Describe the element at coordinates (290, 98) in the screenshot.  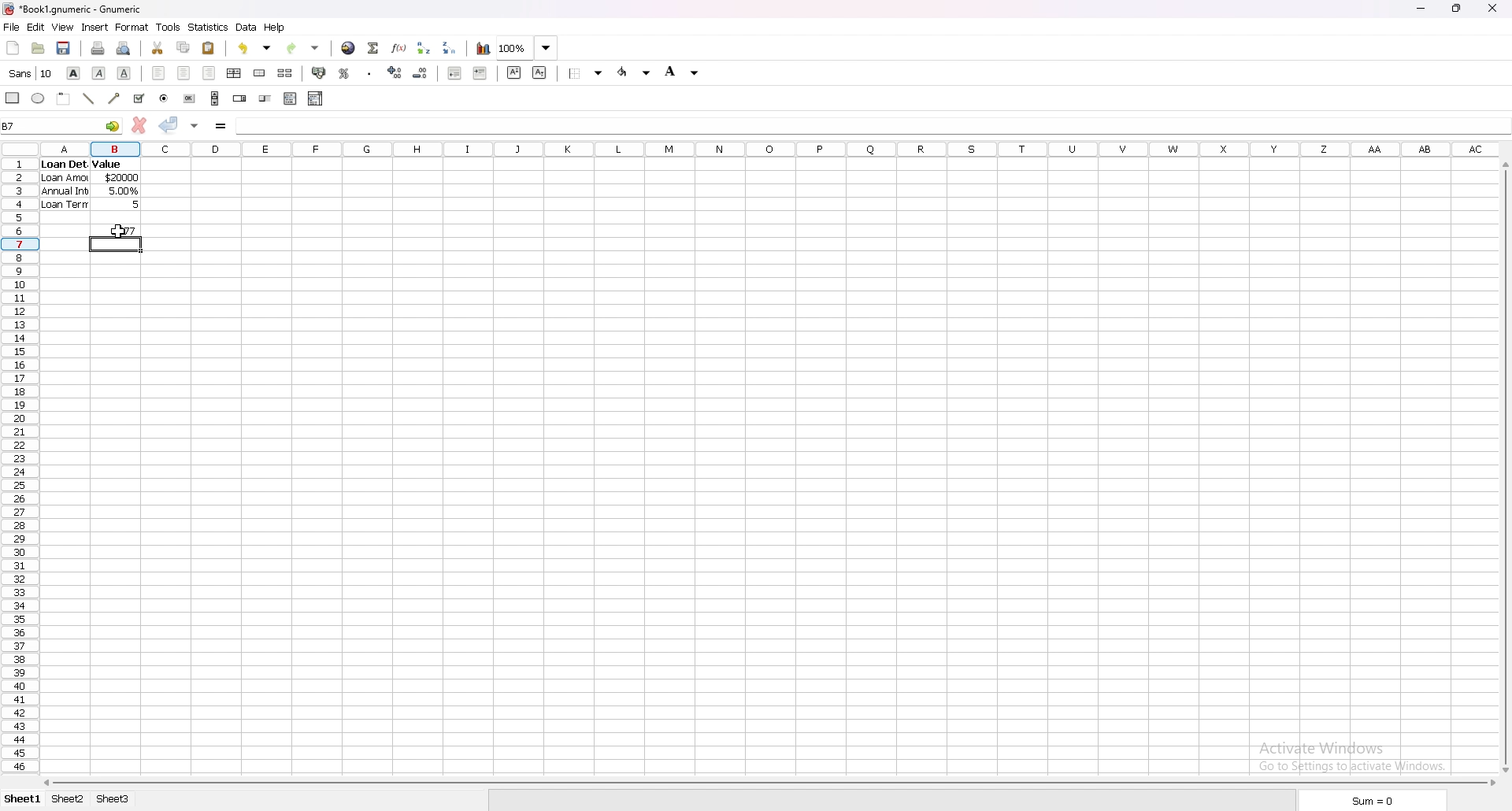
I see `list` at that location.